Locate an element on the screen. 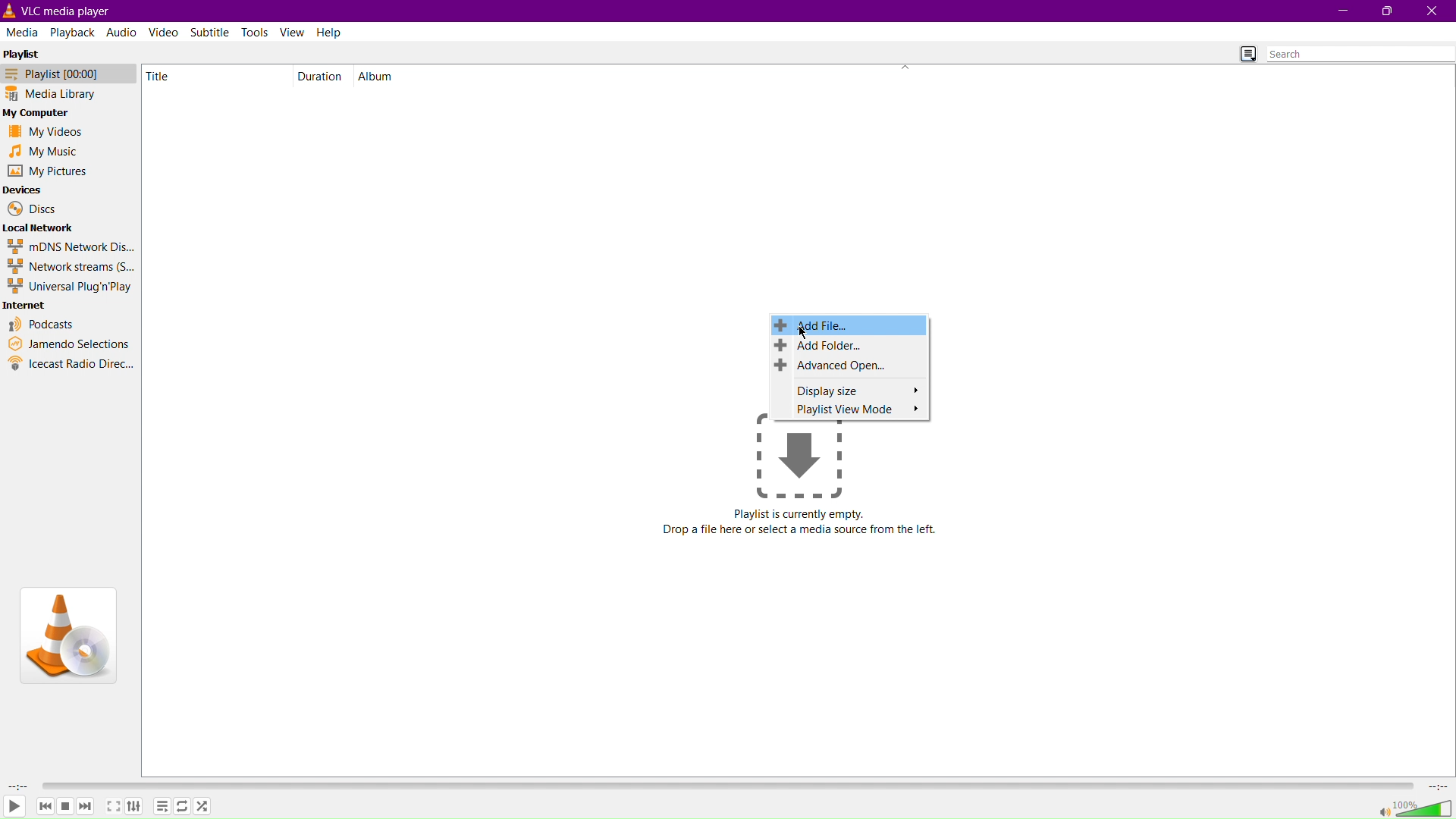  Tools is located at coordinates (257, 32).